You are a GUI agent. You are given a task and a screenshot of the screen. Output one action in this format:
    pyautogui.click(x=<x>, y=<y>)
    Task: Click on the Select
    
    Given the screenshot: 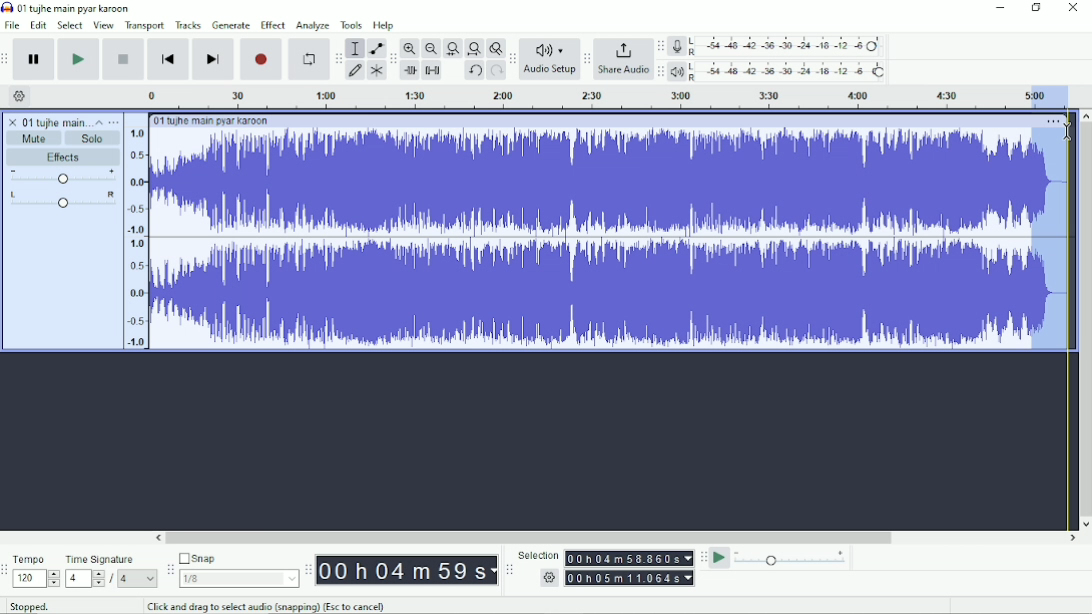 What is the action you would take?
    pyautogui.click(x=71, y=26)
    